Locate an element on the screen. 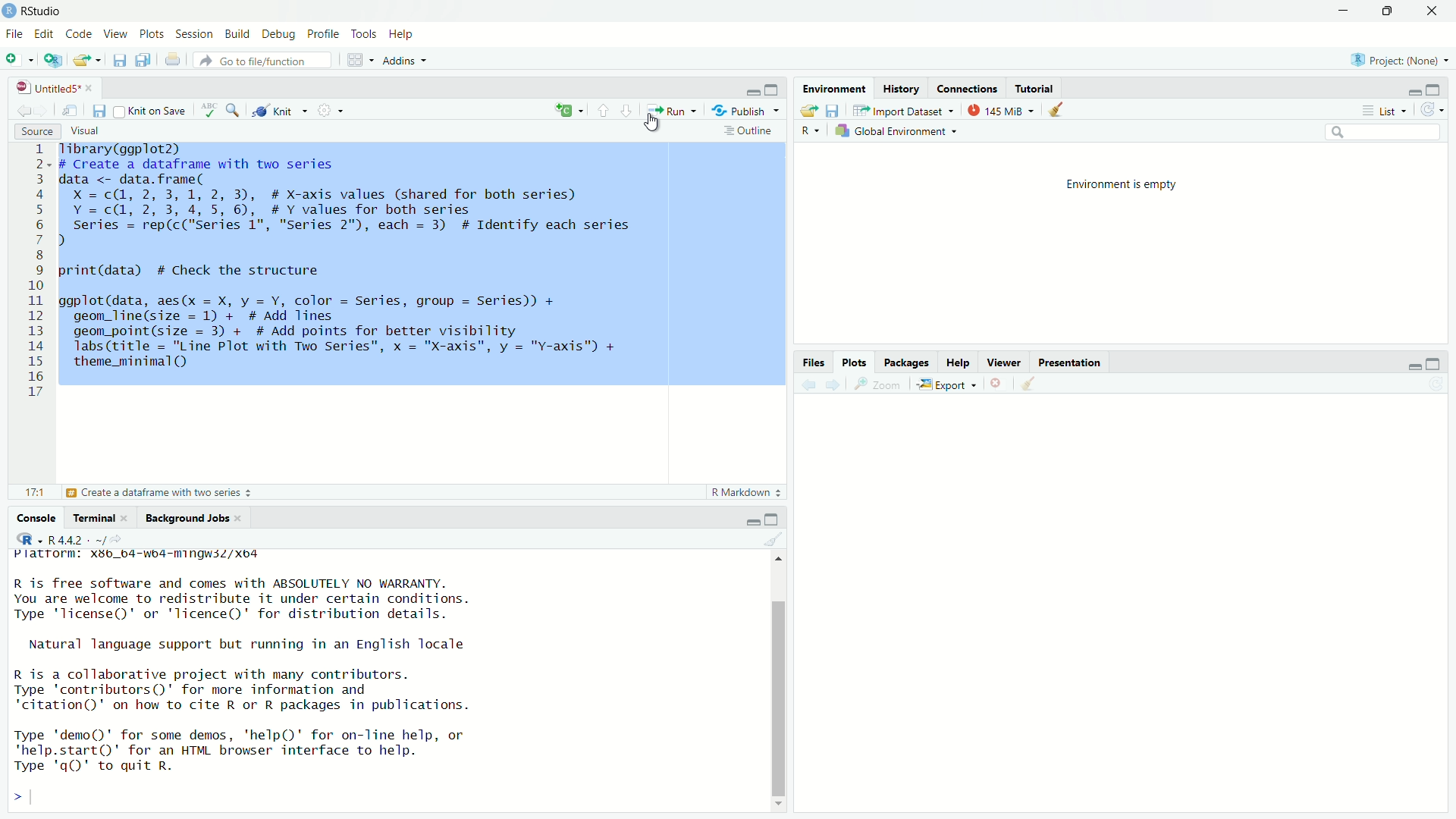 Image resolution: width=1456 pixels, height=819 pixels. clear is located at coordinates (995, 383).